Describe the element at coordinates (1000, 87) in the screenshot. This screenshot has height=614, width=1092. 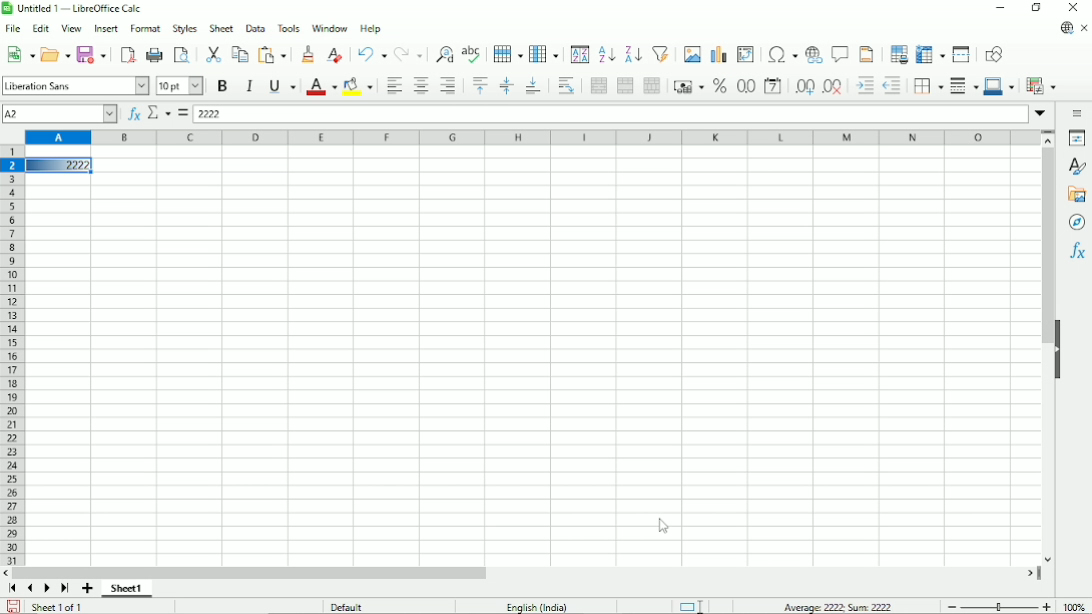
I see `Border color` at that location.